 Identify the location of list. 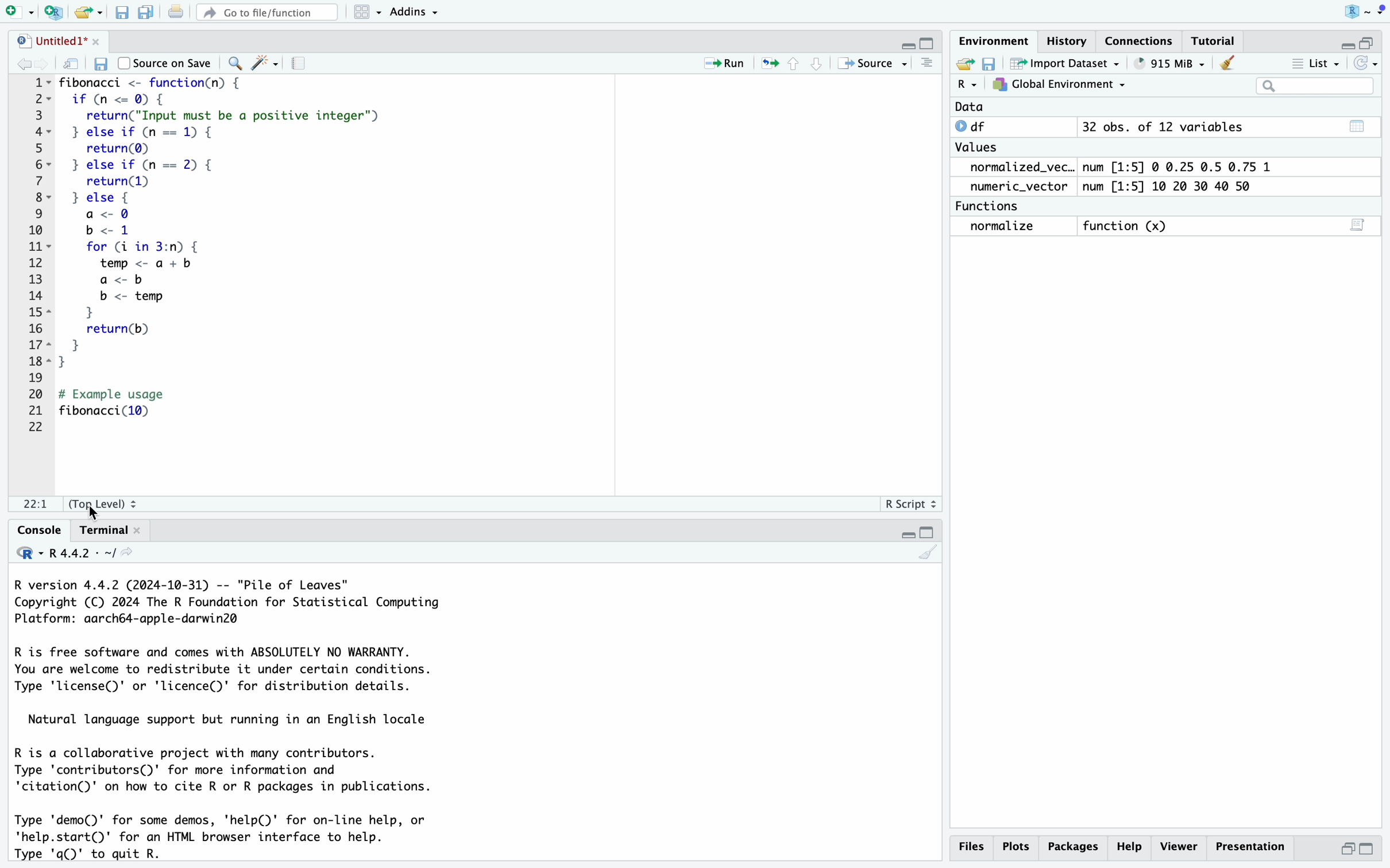
(1311, 61).